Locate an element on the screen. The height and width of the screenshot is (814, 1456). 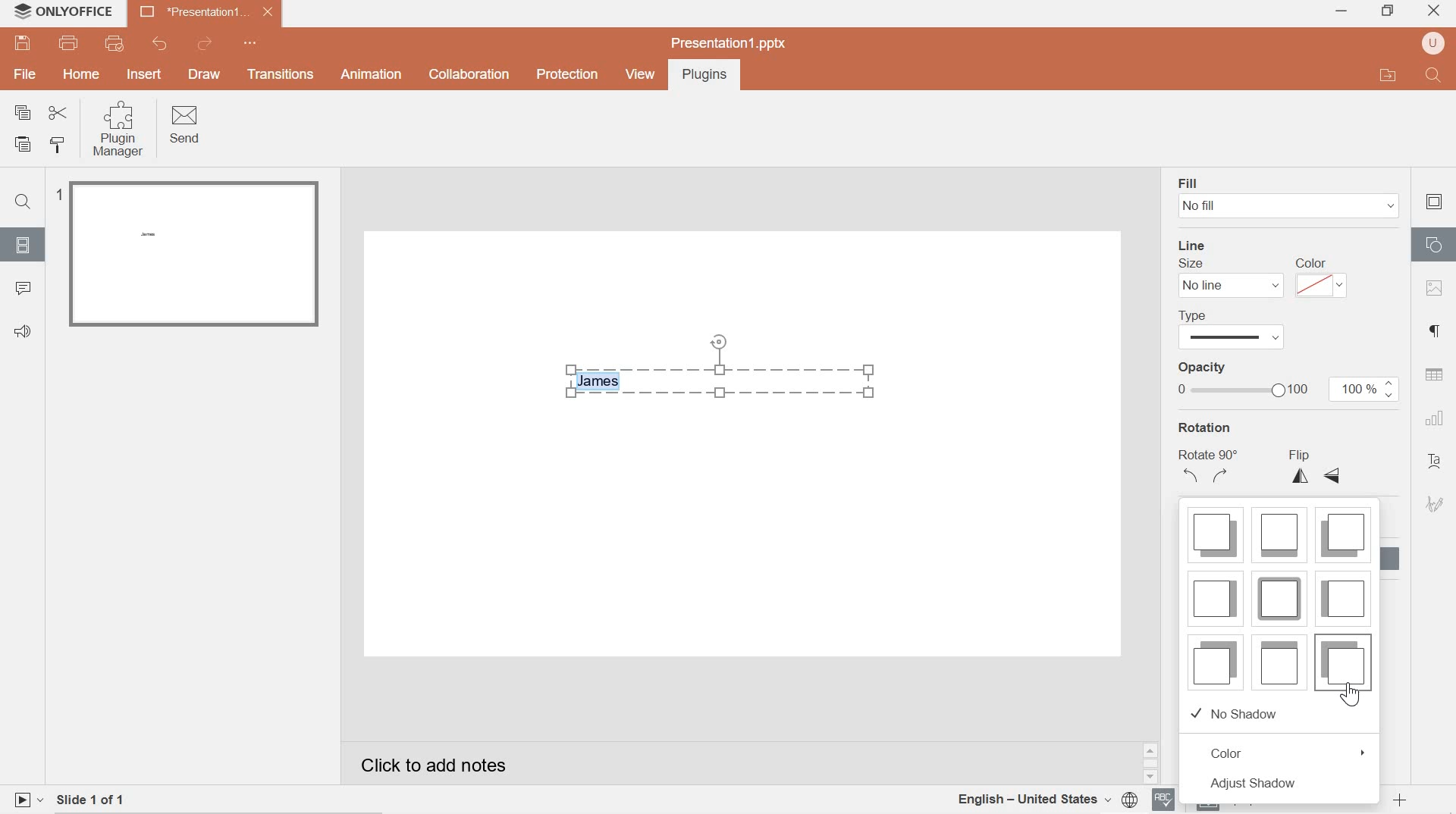
spell checker is located at coordinates (1165, 800).